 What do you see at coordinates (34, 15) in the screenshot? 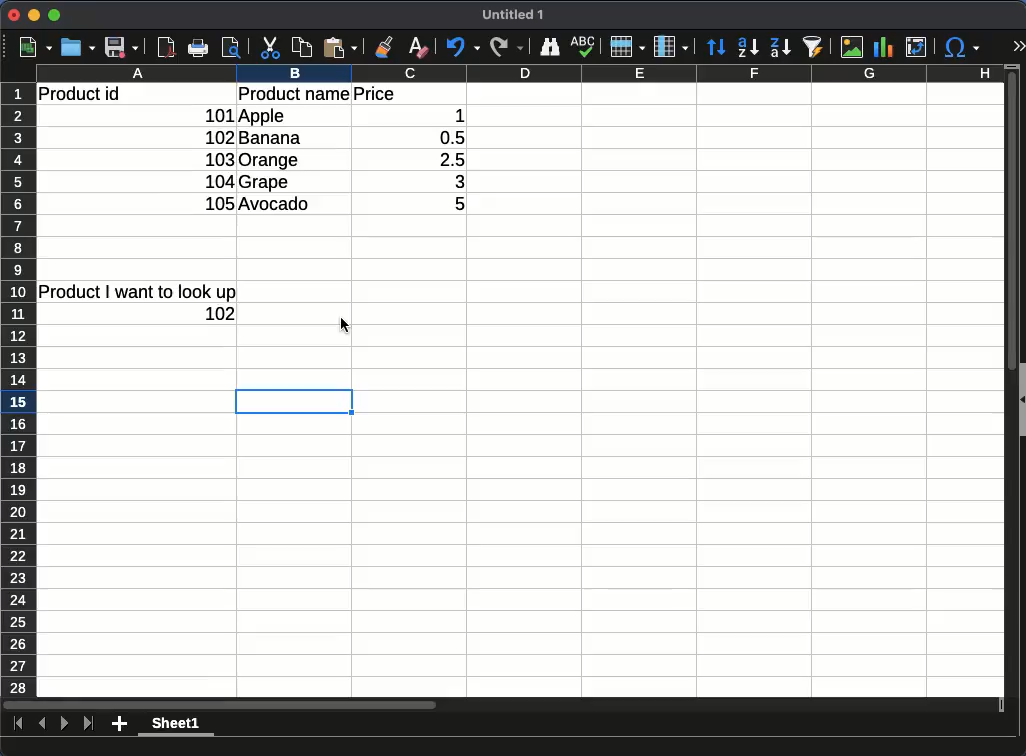
I see `minimize` at bounding box center [34, 15].